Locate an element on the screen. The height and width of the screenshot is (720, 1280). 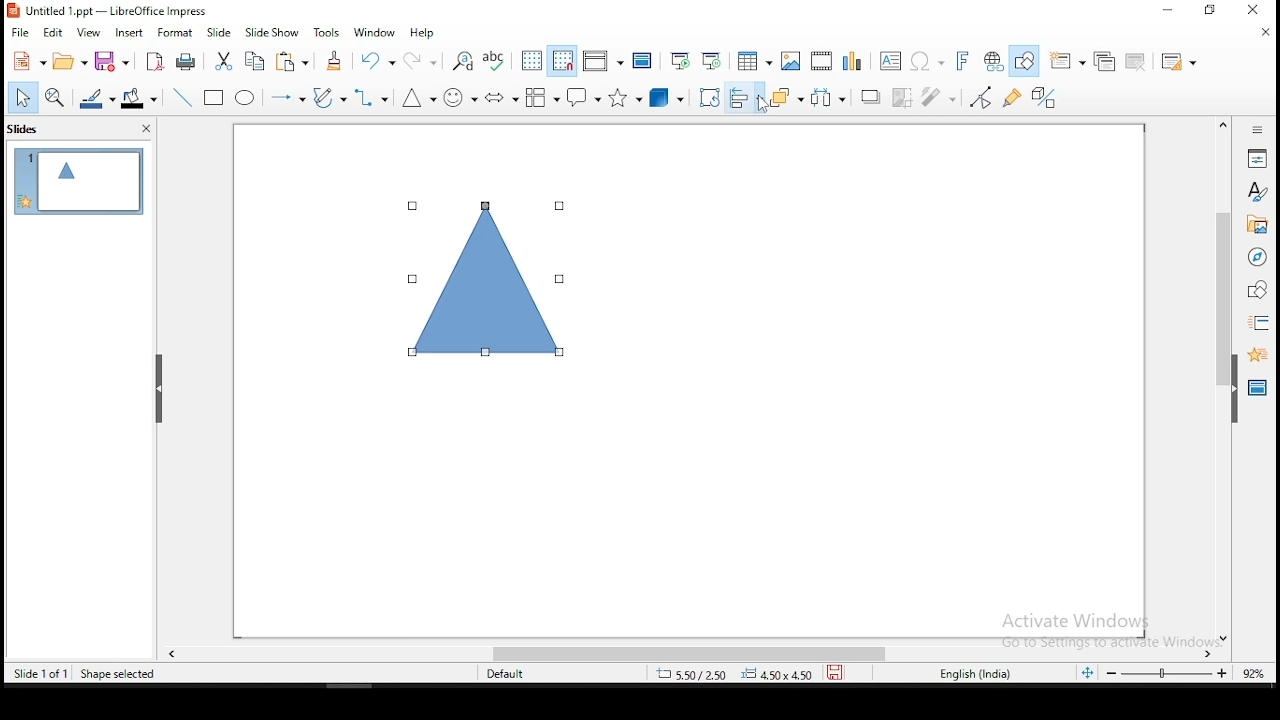
window is located at coordinates (375, 33).